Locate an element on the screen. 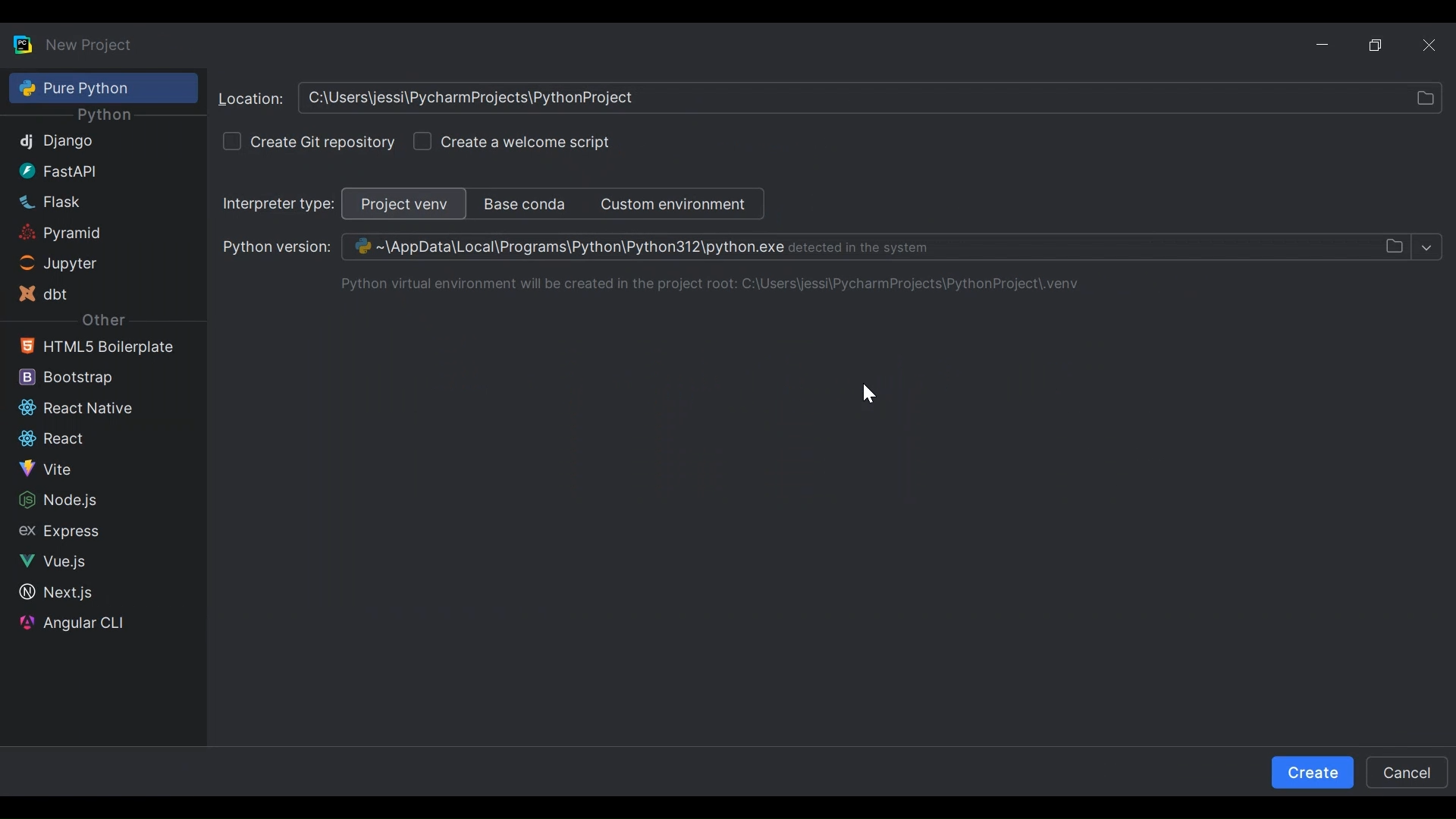  cursor is located at coordinates (871, 397).